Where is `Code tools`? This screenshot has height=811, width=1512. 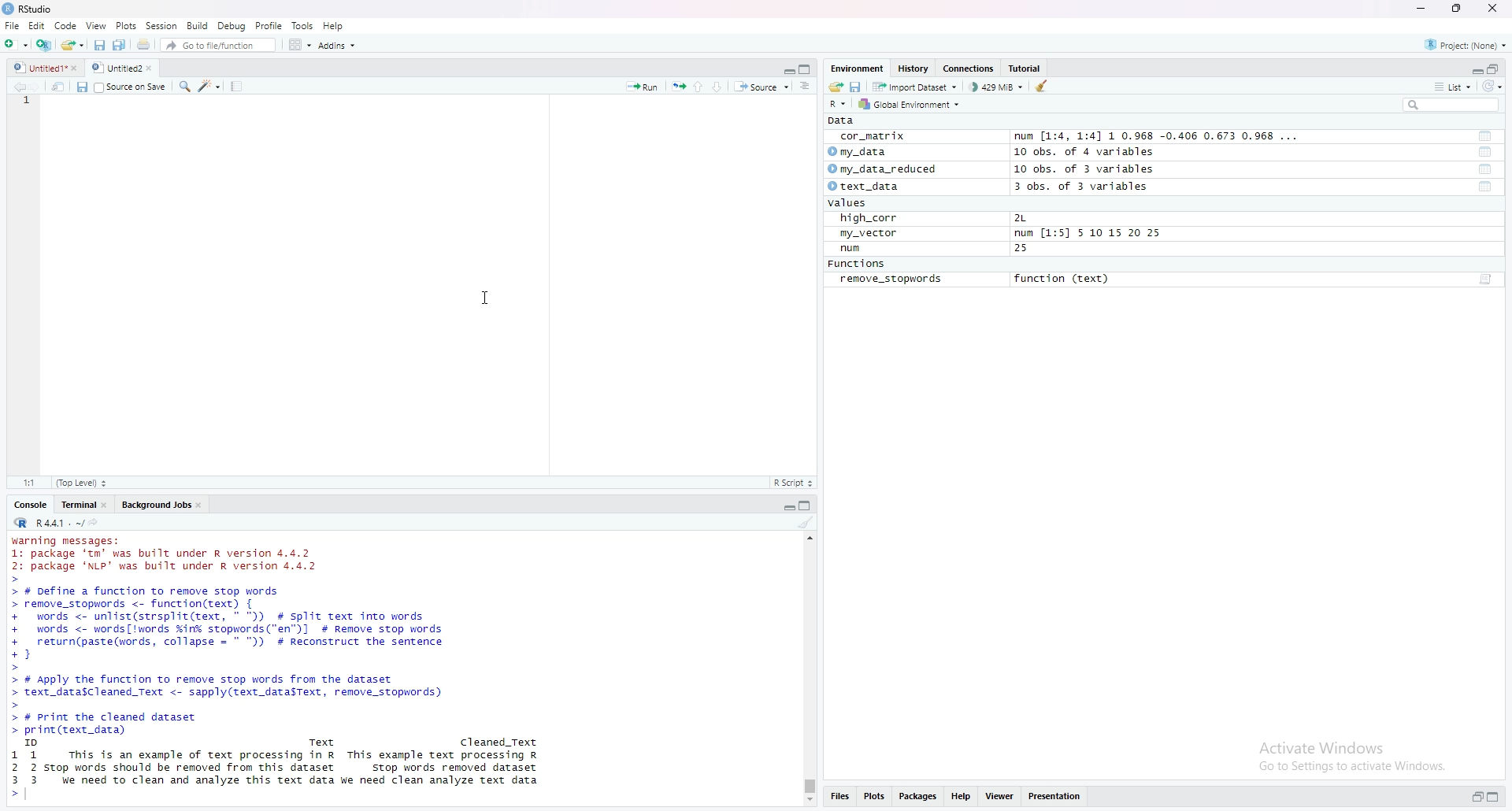
Code tools is located at coordinates (211, 87).